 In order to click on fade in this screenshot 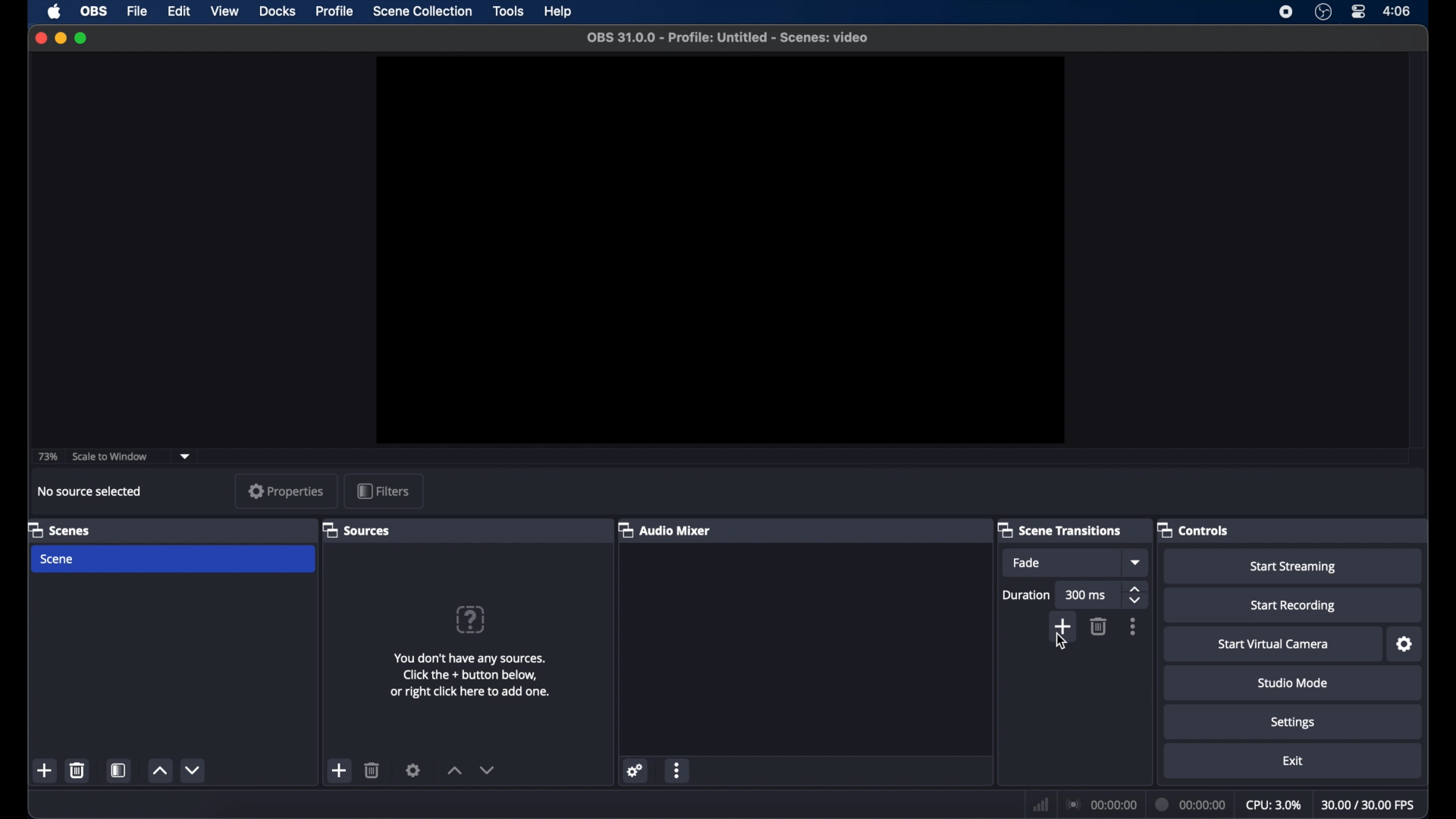, I will do `click(1028, 563)`.